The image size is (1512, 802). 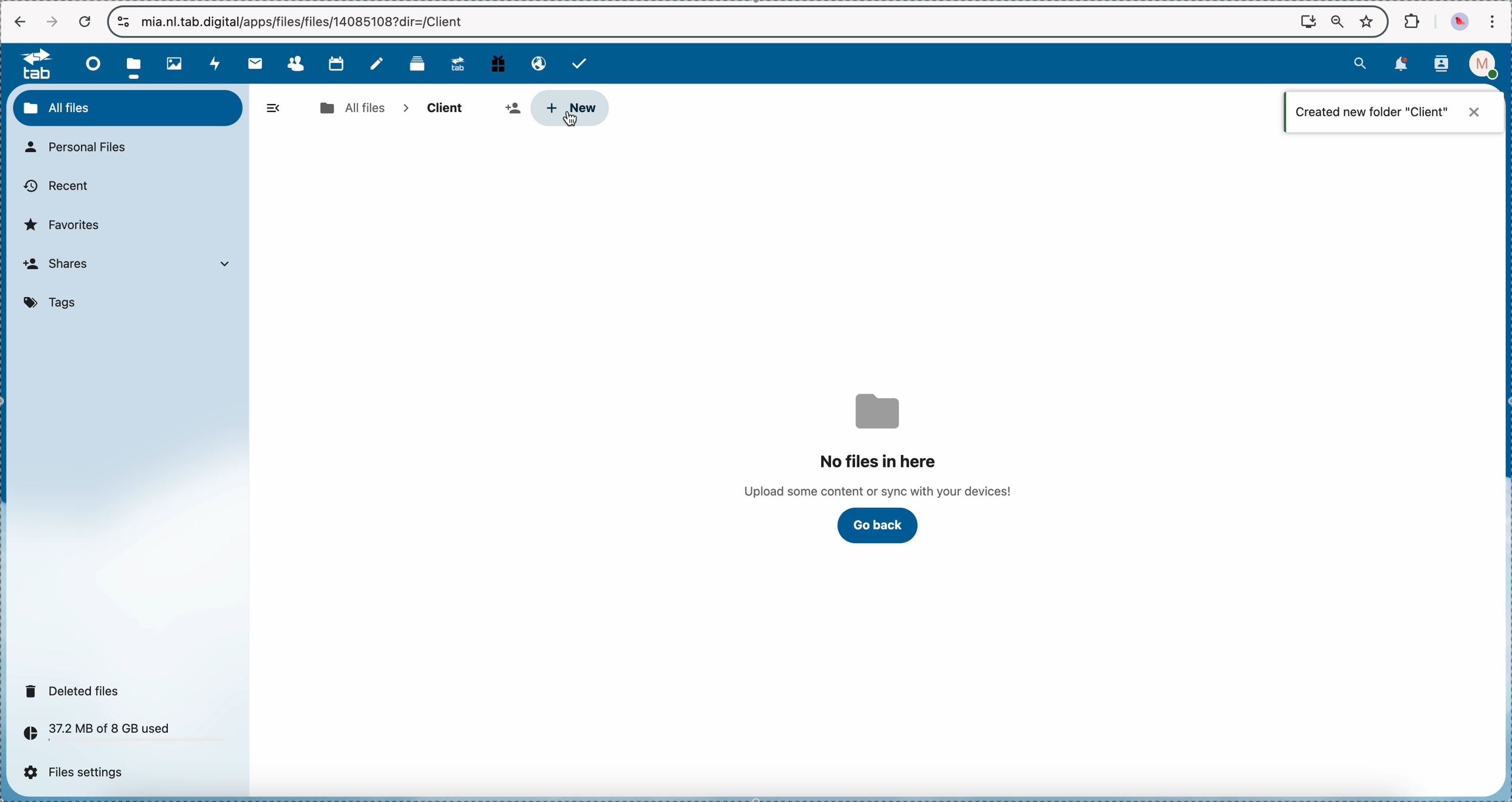 I want to click on dashboard, so click(x=90, y=63).